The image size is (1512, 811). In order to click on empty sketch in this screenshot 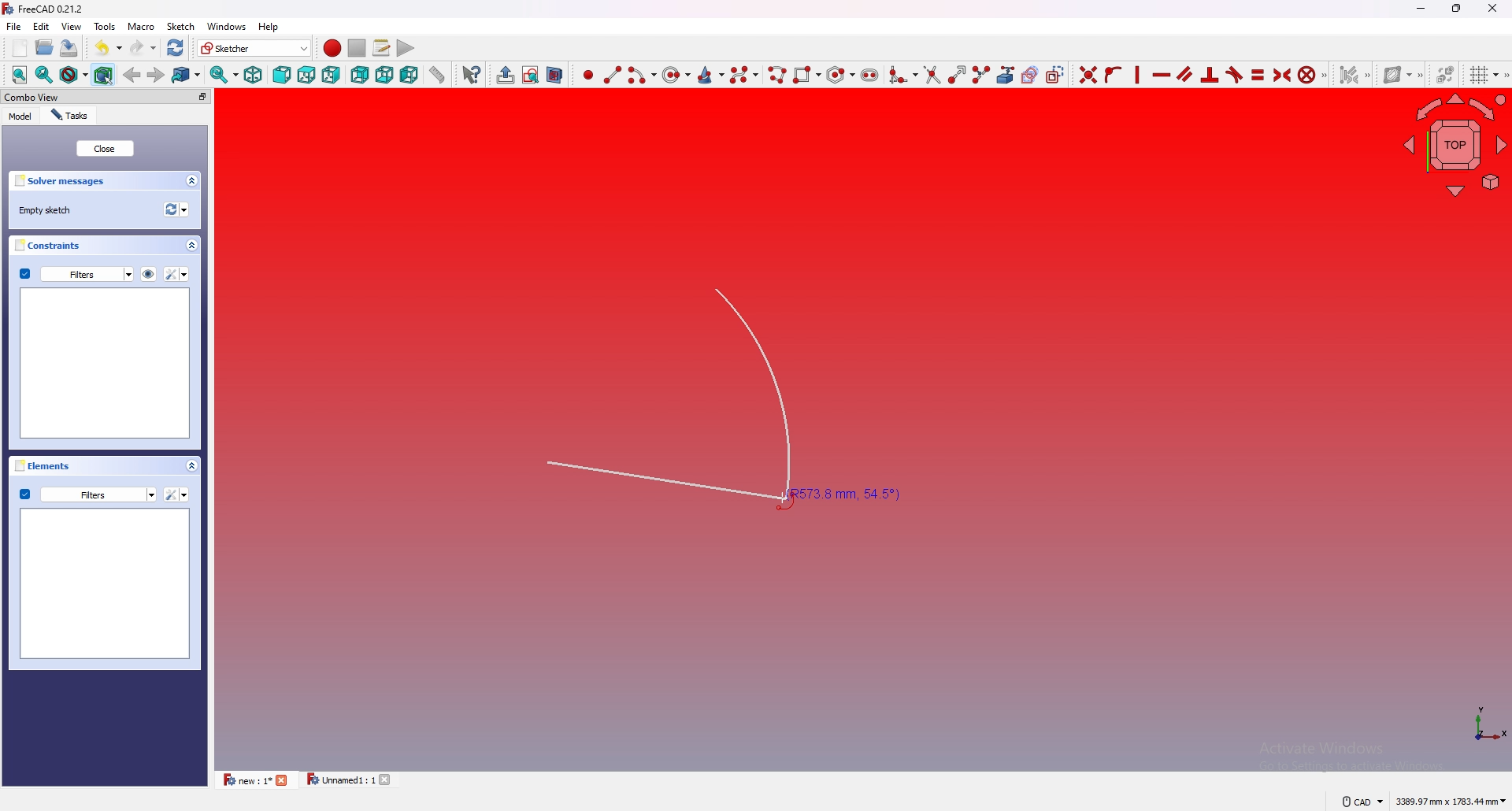, I will do `click(49, 210)`.